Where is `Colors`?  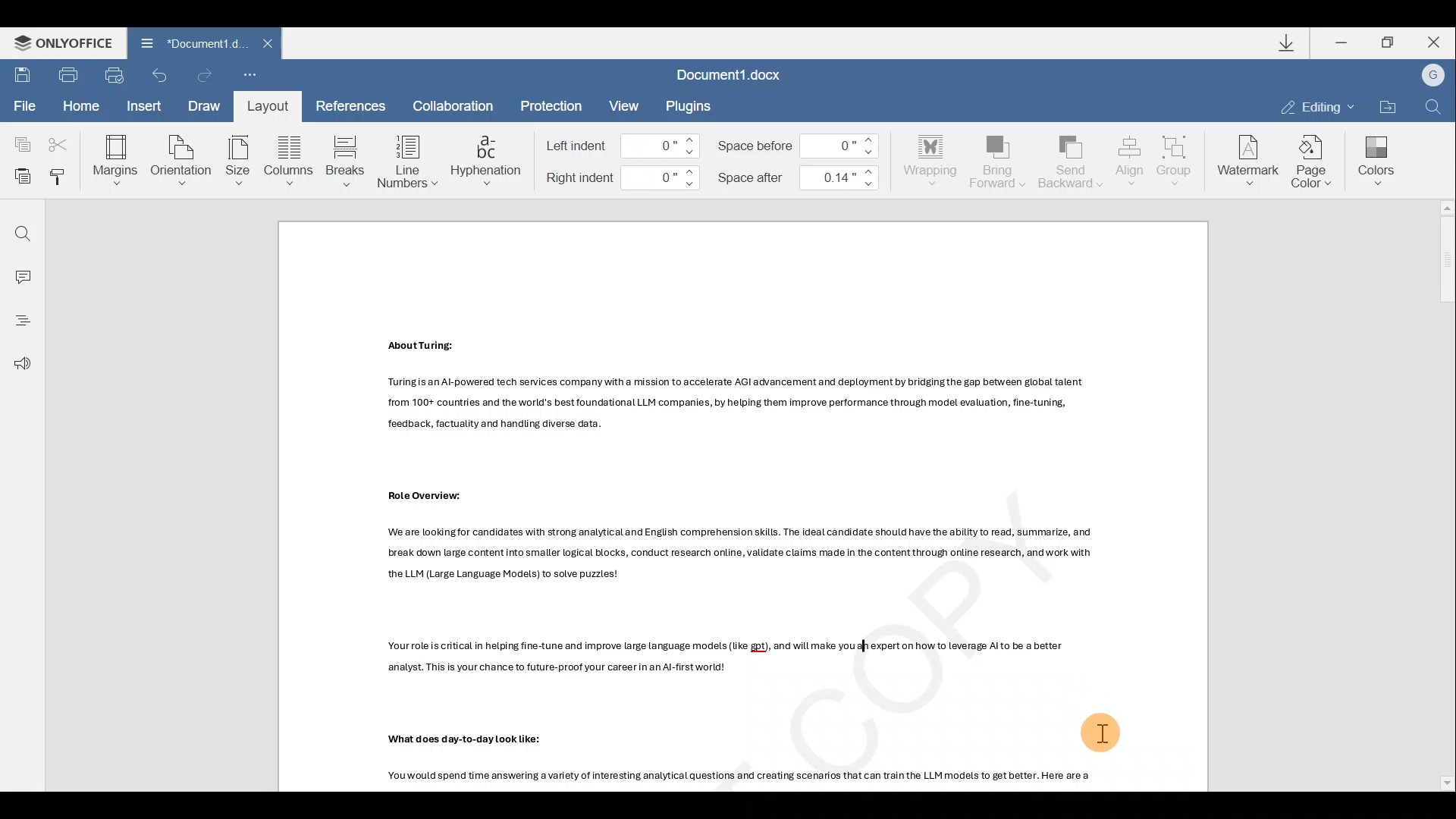 Colors is located at coordinates (1375, 162).